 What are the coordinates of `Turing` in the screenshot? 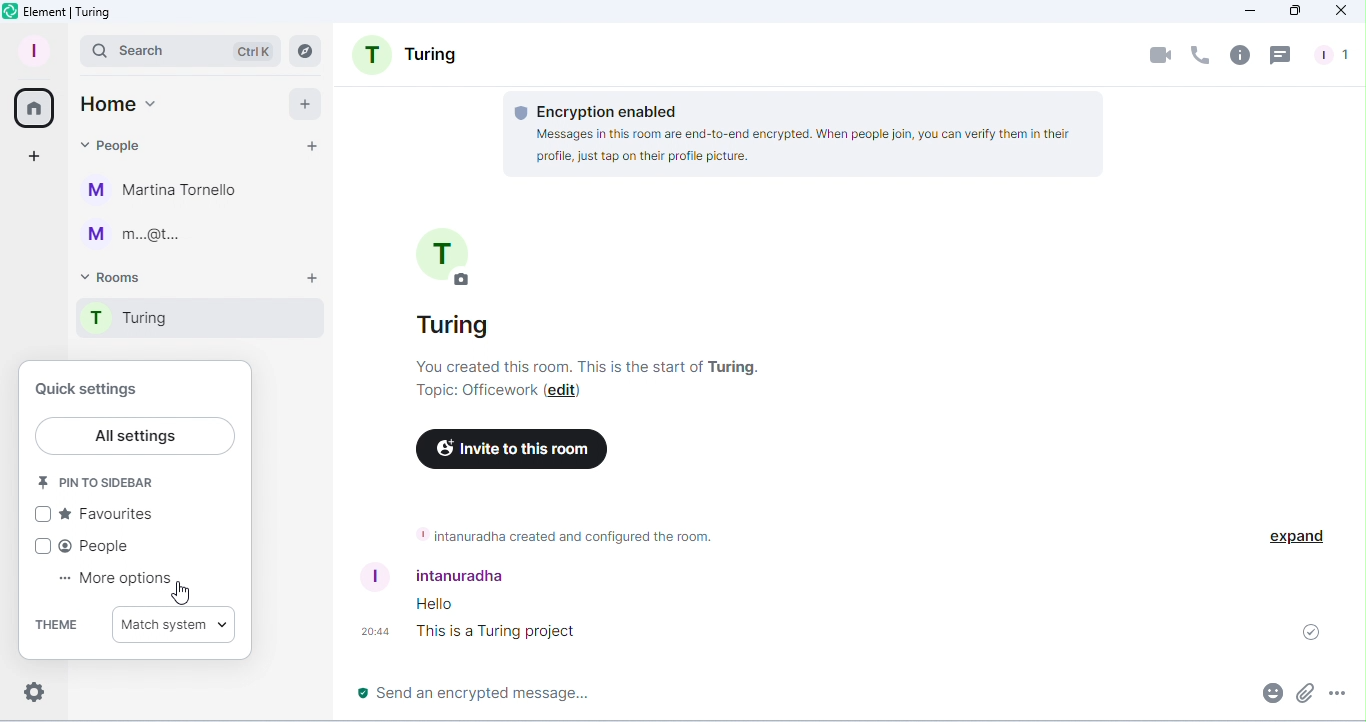 It's located at (202, 321).